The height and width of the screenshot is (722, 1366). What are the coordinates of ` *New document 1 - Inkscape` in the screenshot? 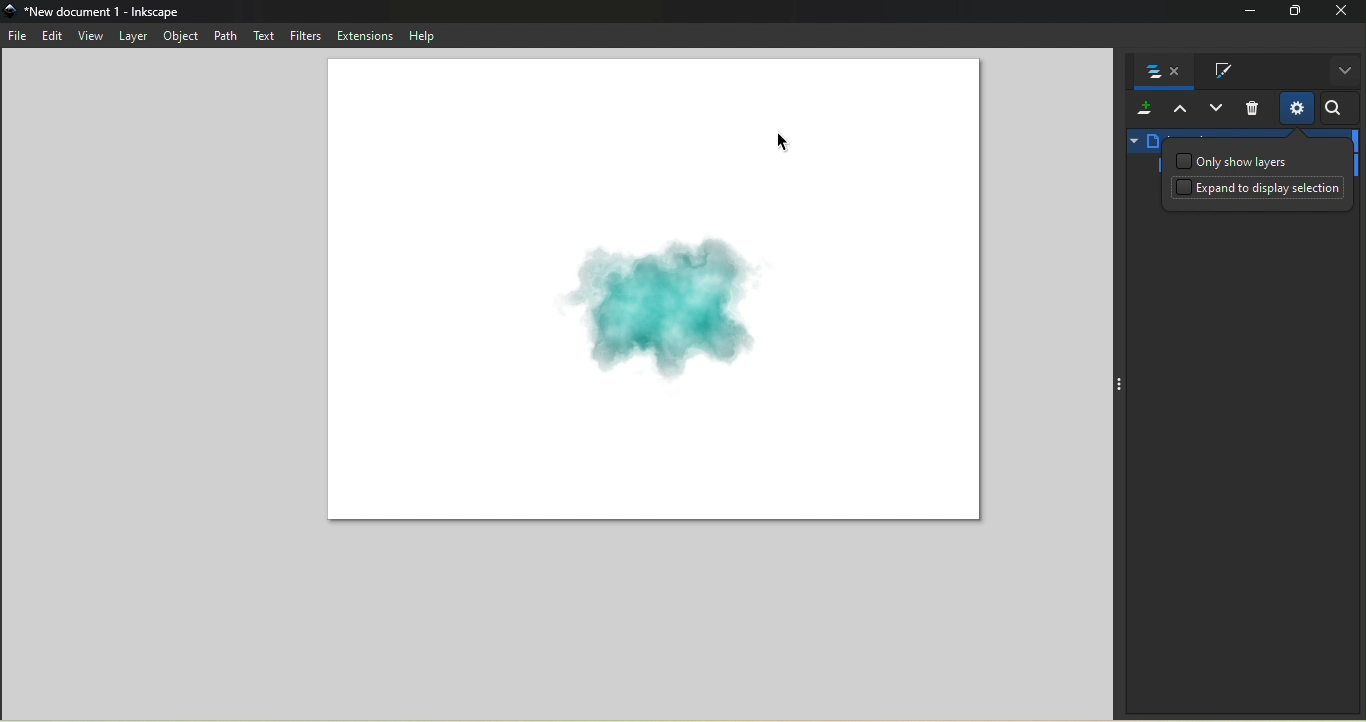 It's located at (105, 11).